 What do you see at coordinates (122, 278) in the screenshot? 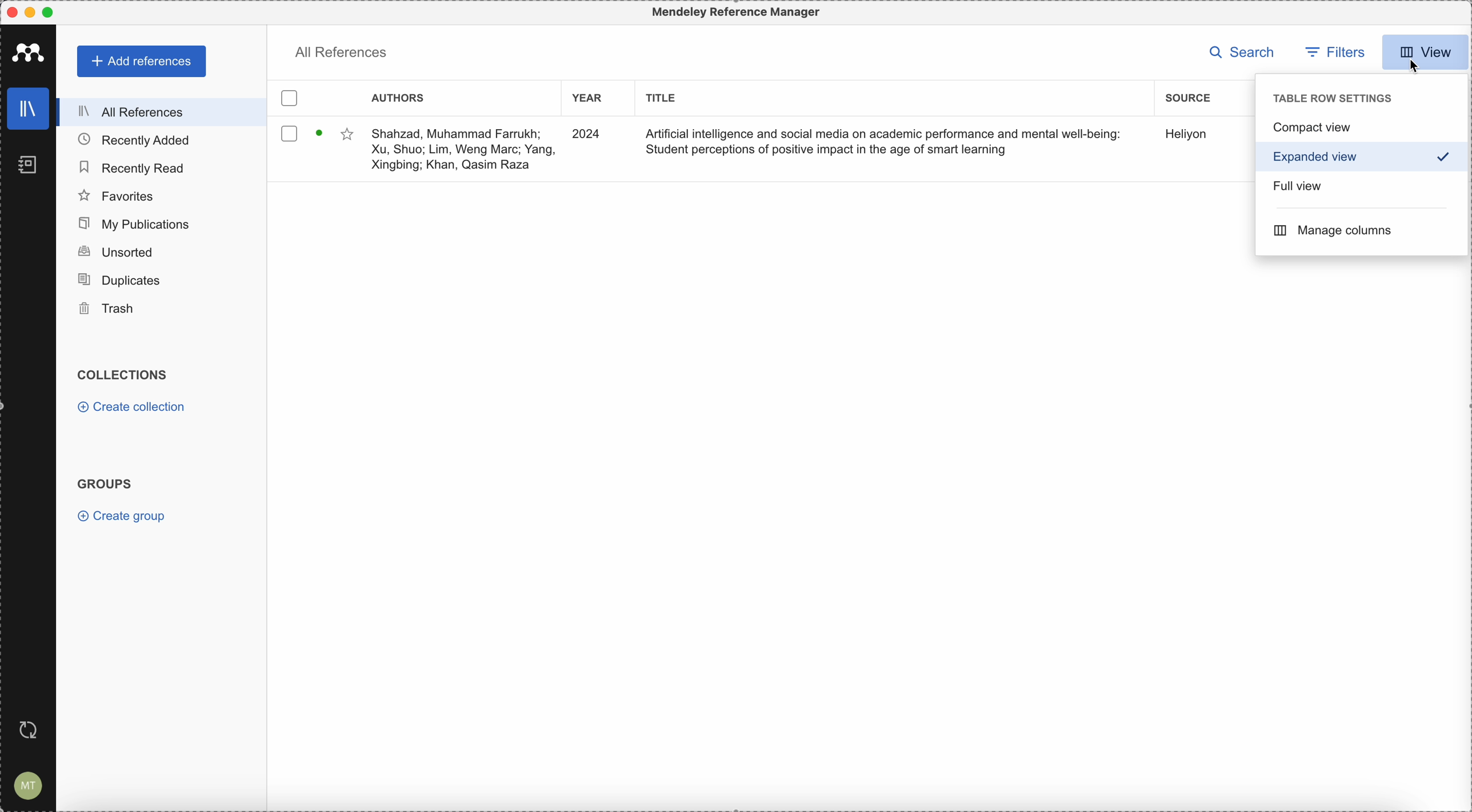
I see `duplicates` at bounding box center [122, 278].